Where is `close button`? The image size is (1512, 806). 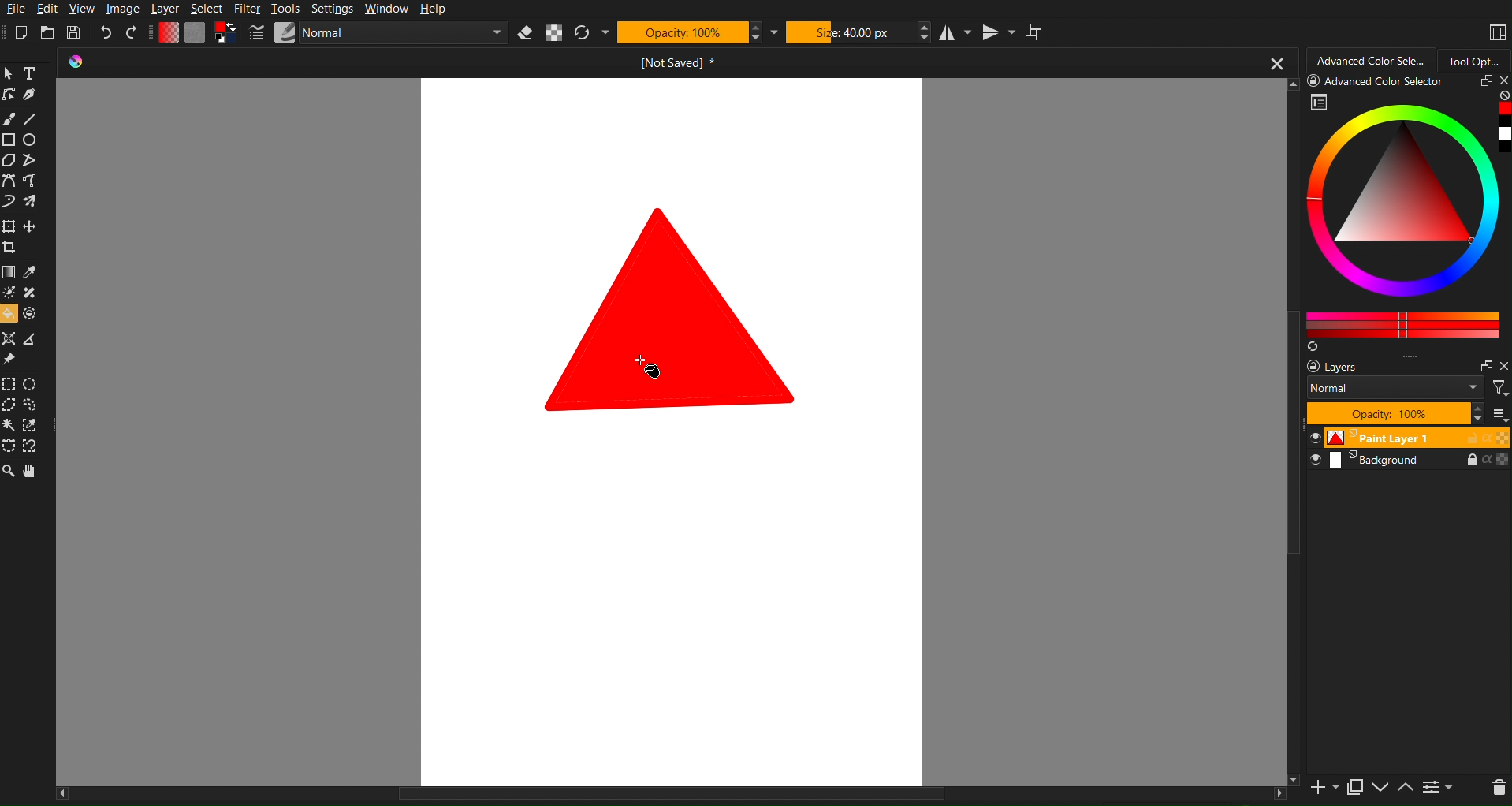 close button is located at coordinates (1276, 62).